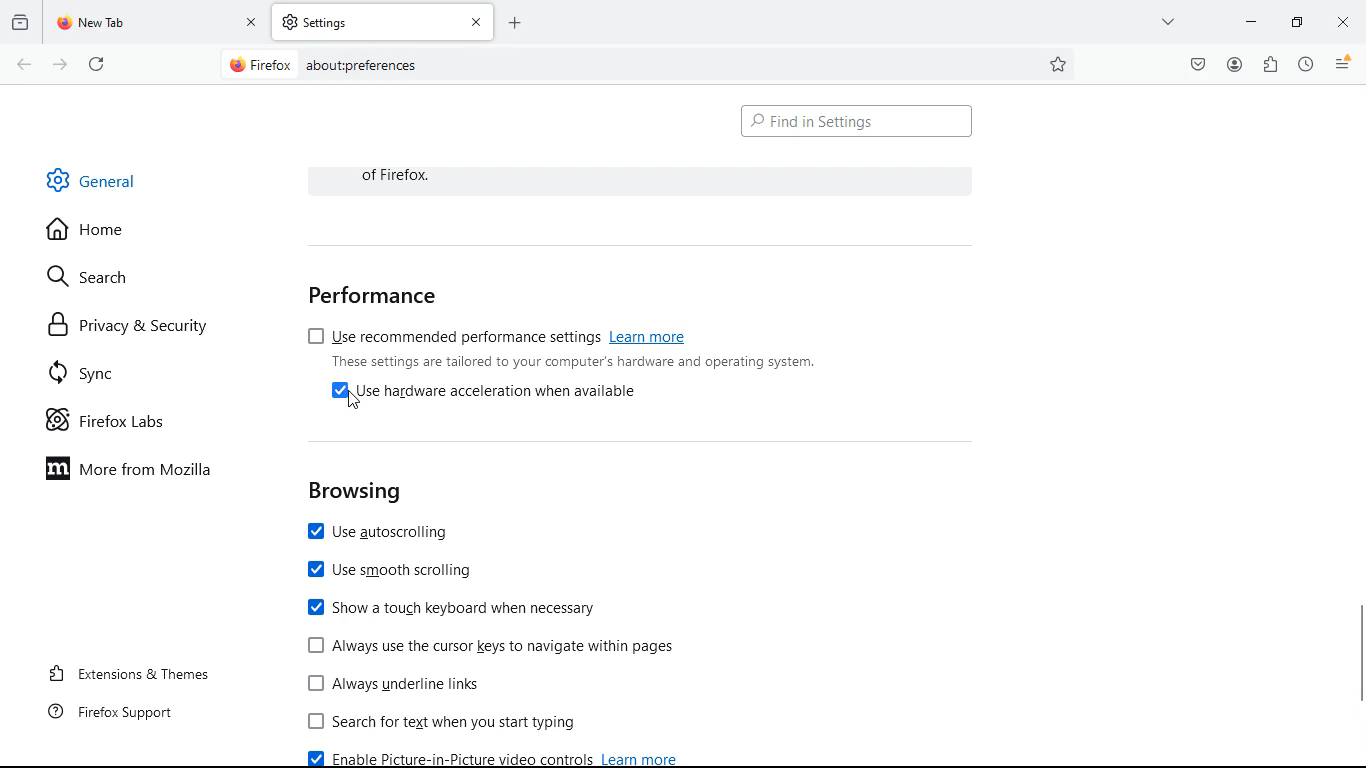  I want to click on browsing, so click(353, 492).